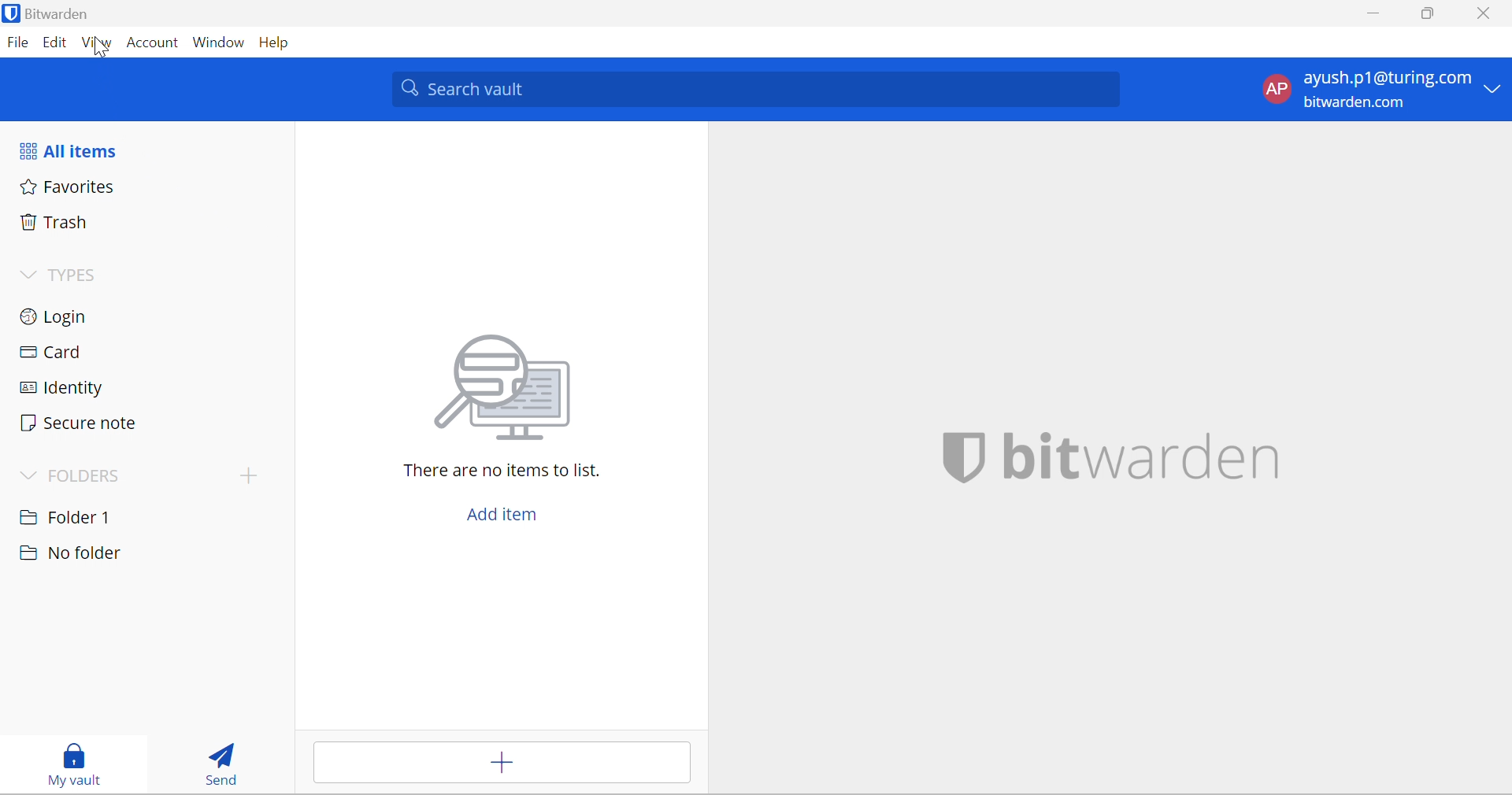 Image resolution: width=1512 pixels, height=795 pixels. What do you see at coordinates (1147, 458) in the screenshot?
I see `bitwarden` at bounding box center [1147, 458].